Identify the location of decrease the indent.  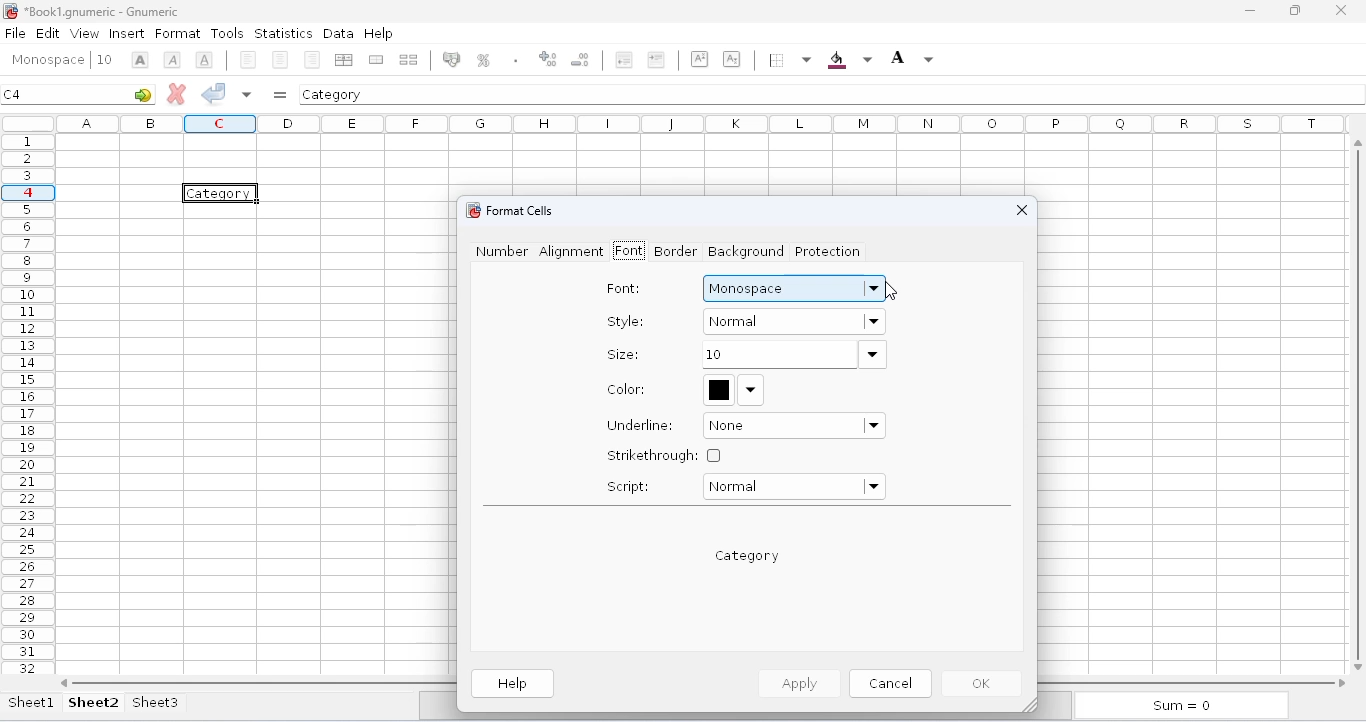
(622, 59).